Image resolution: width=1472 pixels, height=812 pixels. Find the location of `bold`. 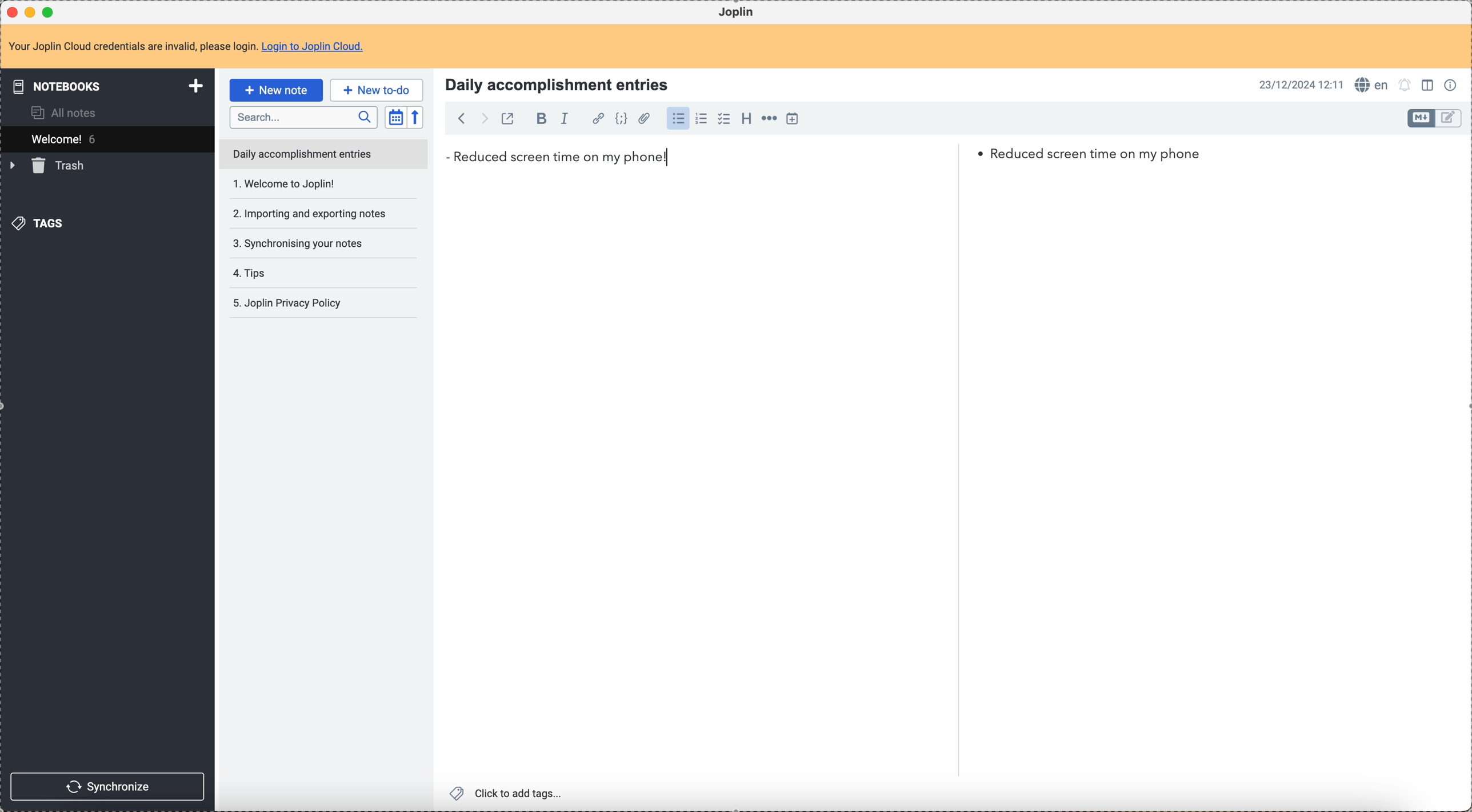

bold is located at coordinates (538, 119).